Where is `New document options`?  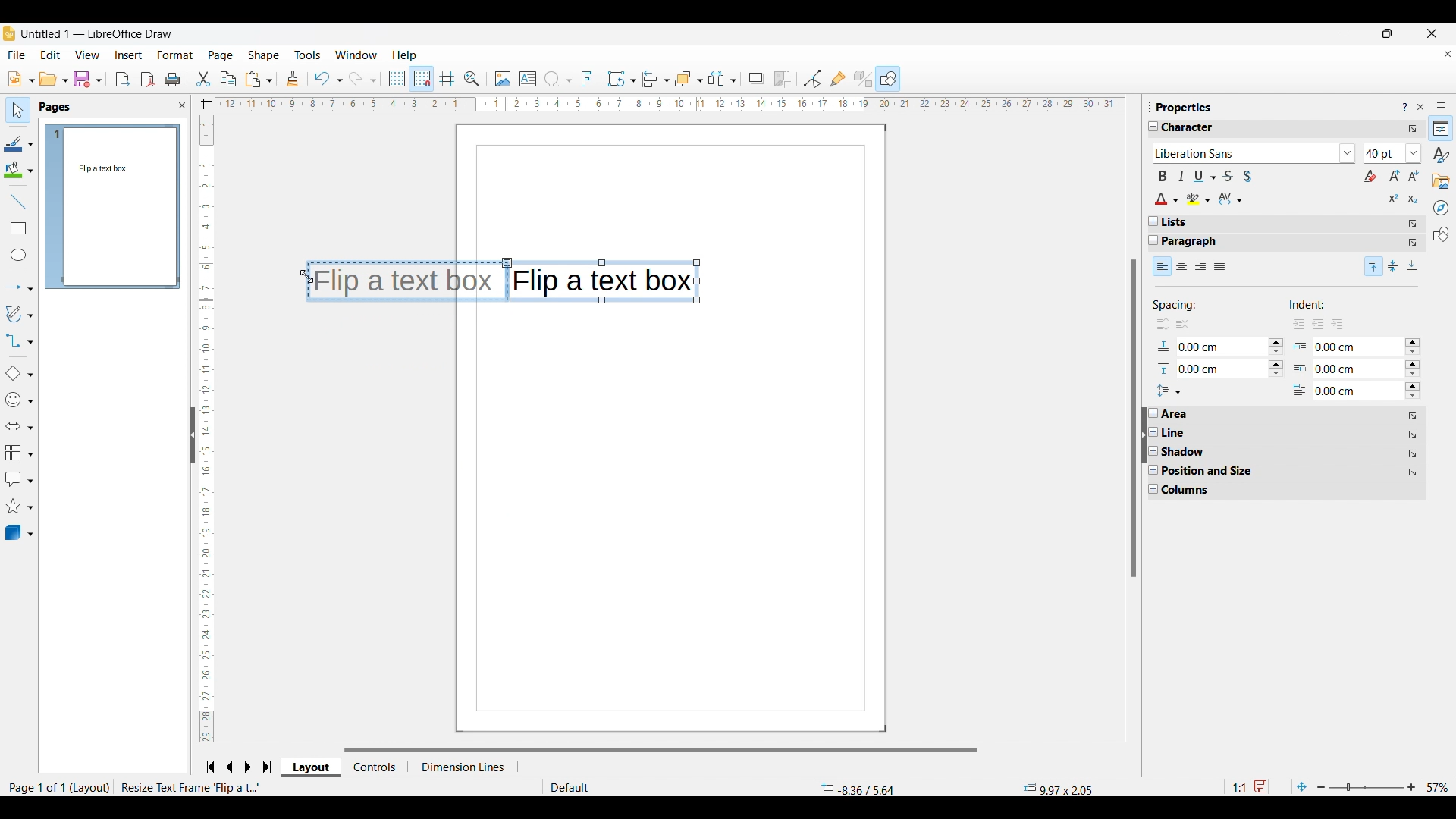 New document options is located at coordinates (21, 79).